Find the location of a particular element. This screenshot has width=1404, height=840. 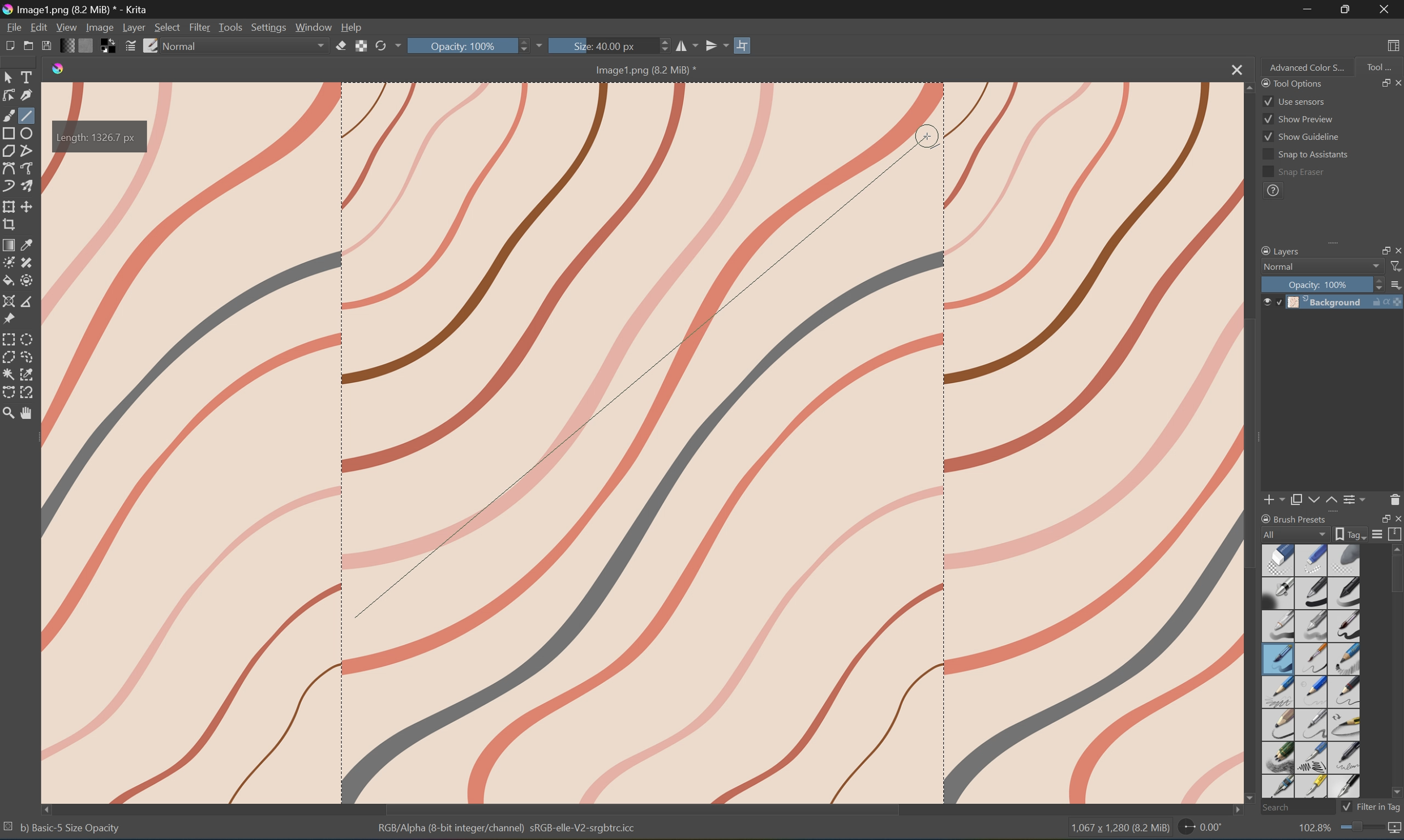

Tool... is located at coordinates (1381, 66).